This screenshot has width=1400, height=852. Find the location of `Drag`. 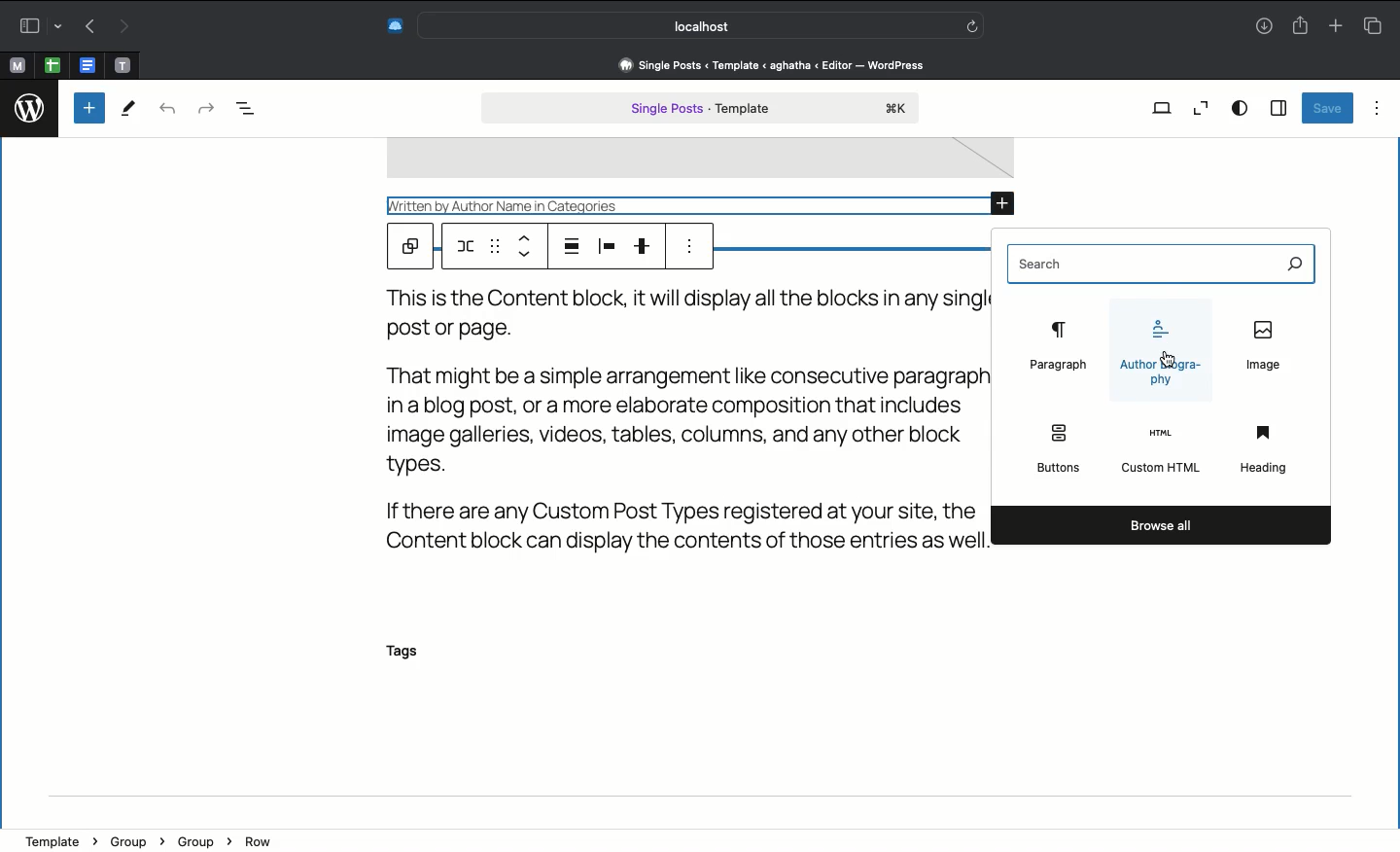

Drag is located at coordinates (494, 248).